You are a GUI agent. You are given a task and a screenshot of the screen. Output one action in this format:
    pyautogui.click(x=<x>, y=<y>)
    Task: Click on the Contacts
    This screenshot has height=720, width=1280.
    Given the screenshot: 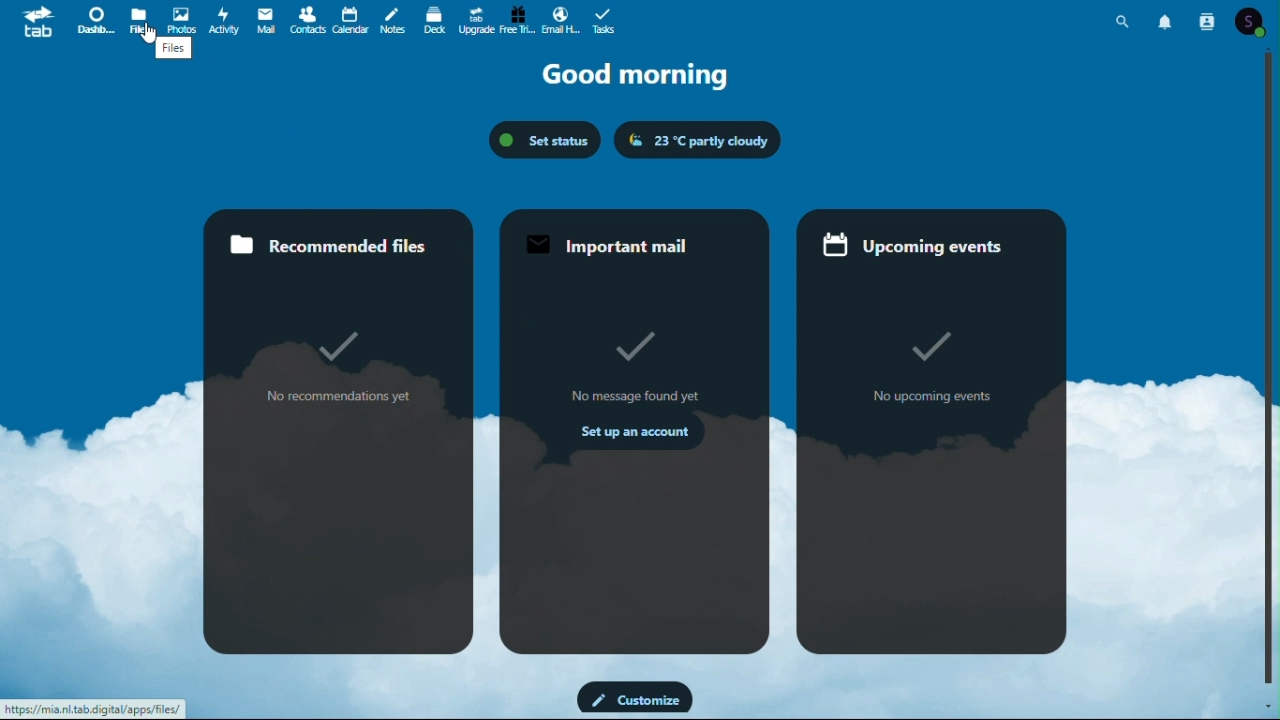 What is the action you would take?
    pyautogui.click(x=1209, y=21)
    